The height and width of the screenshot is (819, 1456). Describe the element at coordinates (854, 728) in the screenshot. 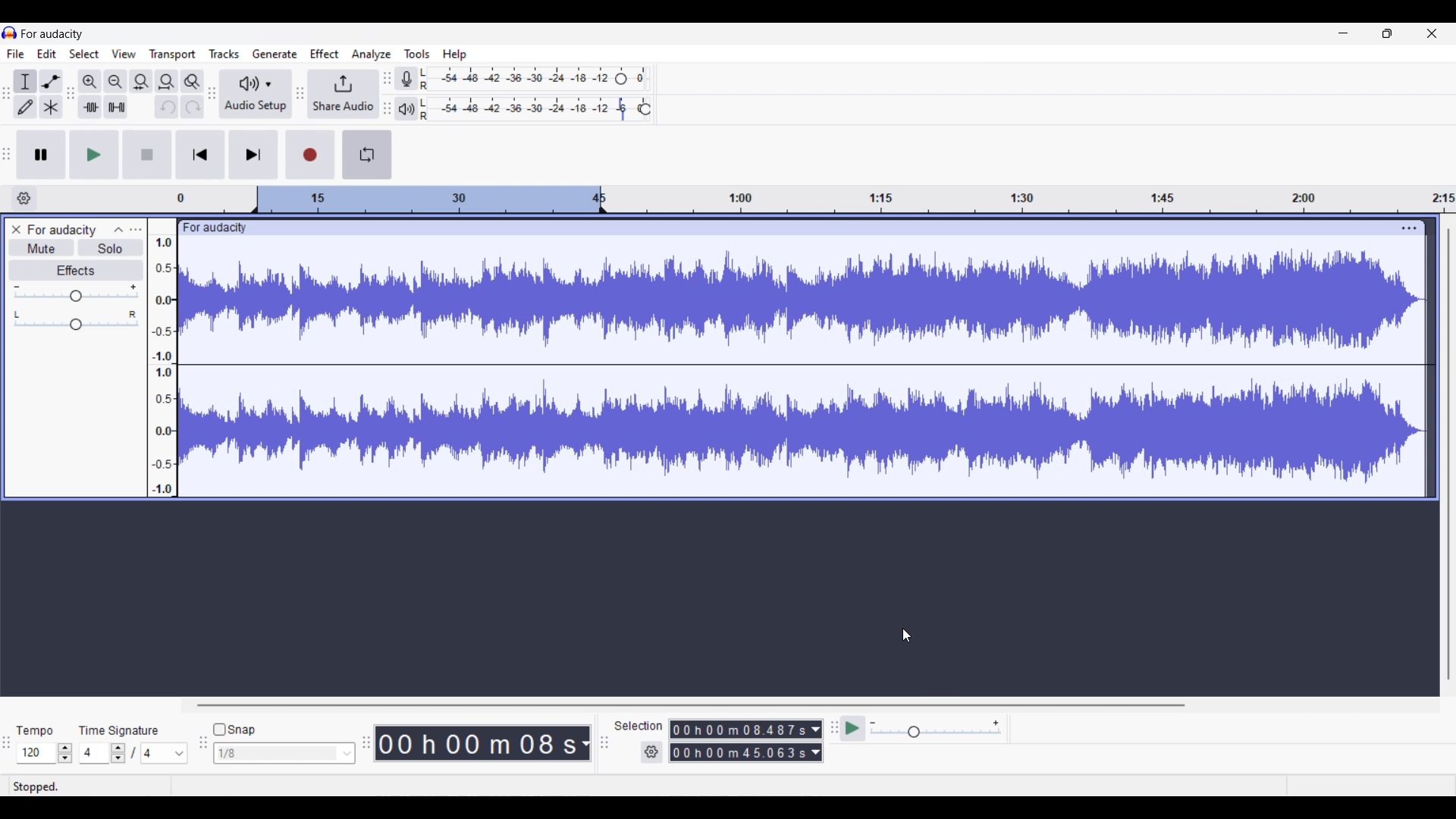

I see `Play at speed/Play at speed once` at that location.